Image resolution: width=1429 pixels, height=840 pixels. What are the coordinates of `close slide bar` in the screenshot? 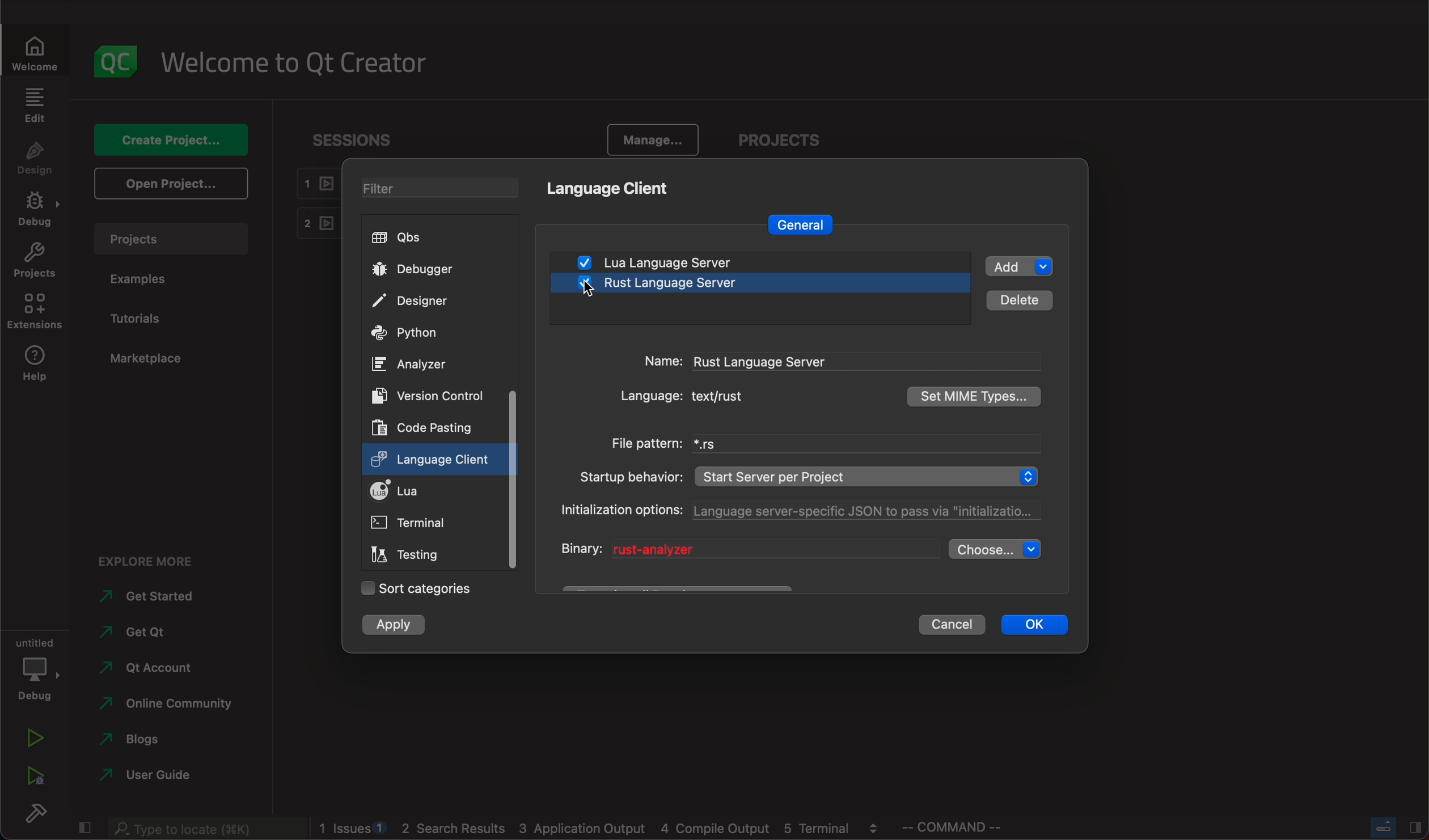 It's located at (83, 829).